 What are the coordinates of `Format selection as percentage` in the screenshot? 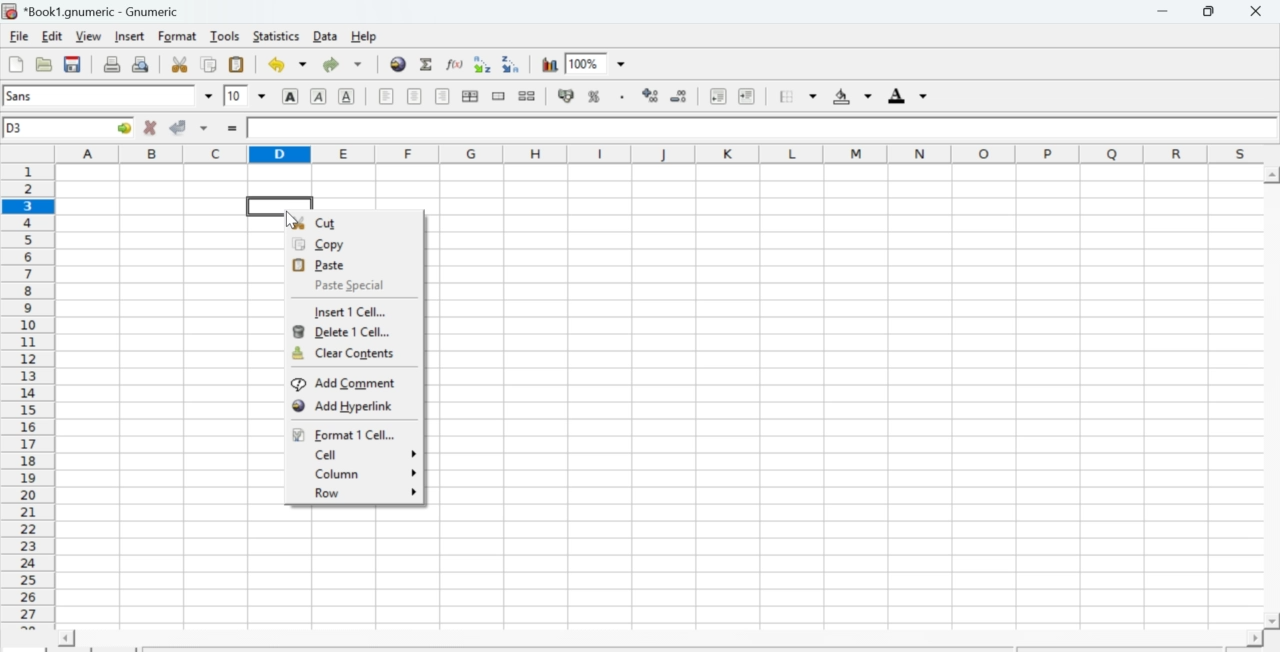 It's located at (594, 95).